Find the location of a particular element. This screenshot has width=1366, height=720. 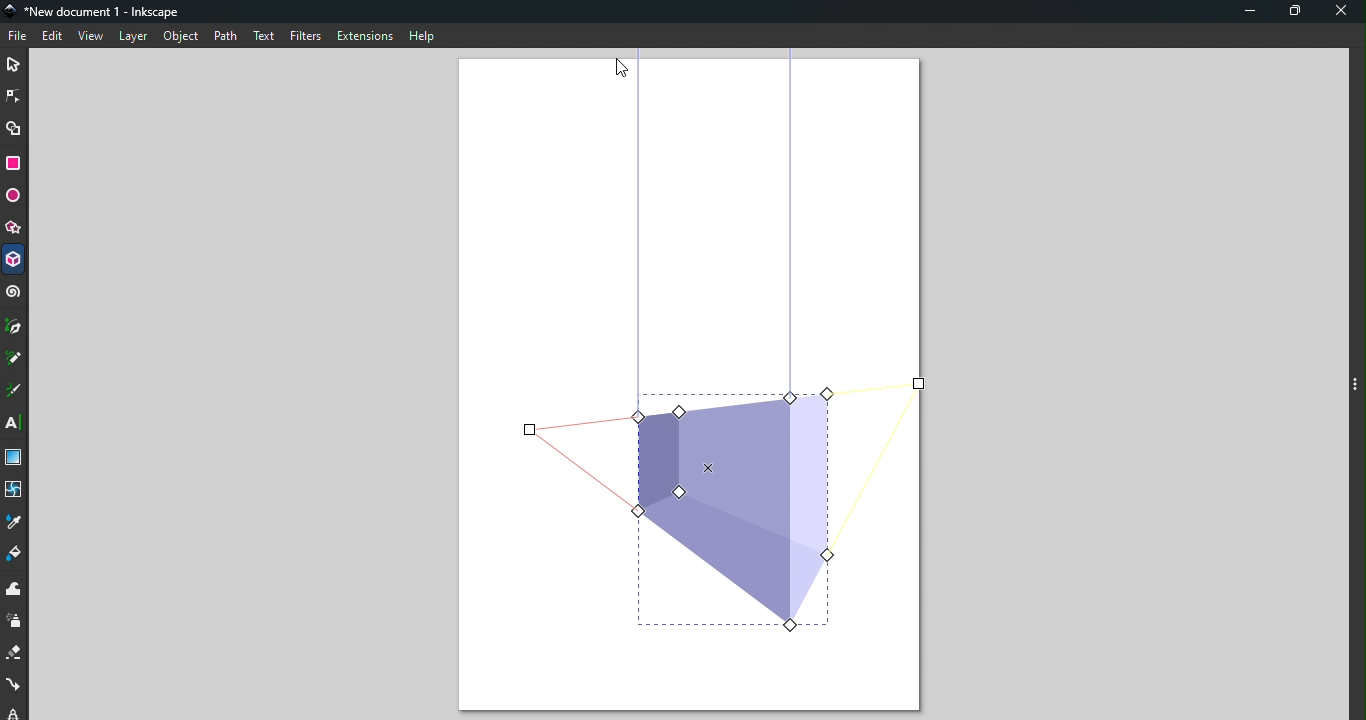

Spray tool is located at coordinates (15, 624).